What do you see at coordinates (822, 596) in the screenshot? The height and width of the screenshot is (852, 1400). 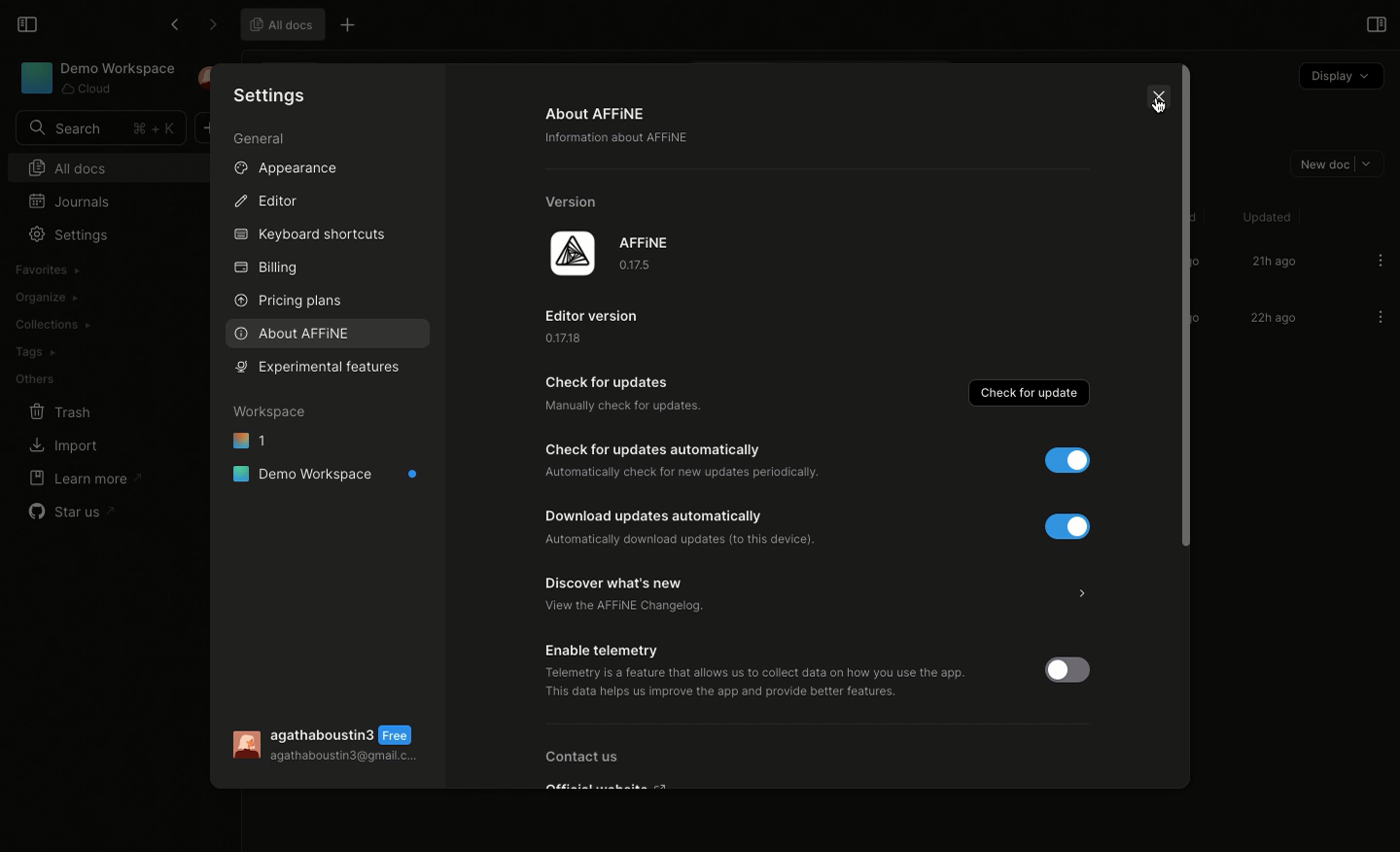 I see `Discover what's new` at bounding box center [822, 596].